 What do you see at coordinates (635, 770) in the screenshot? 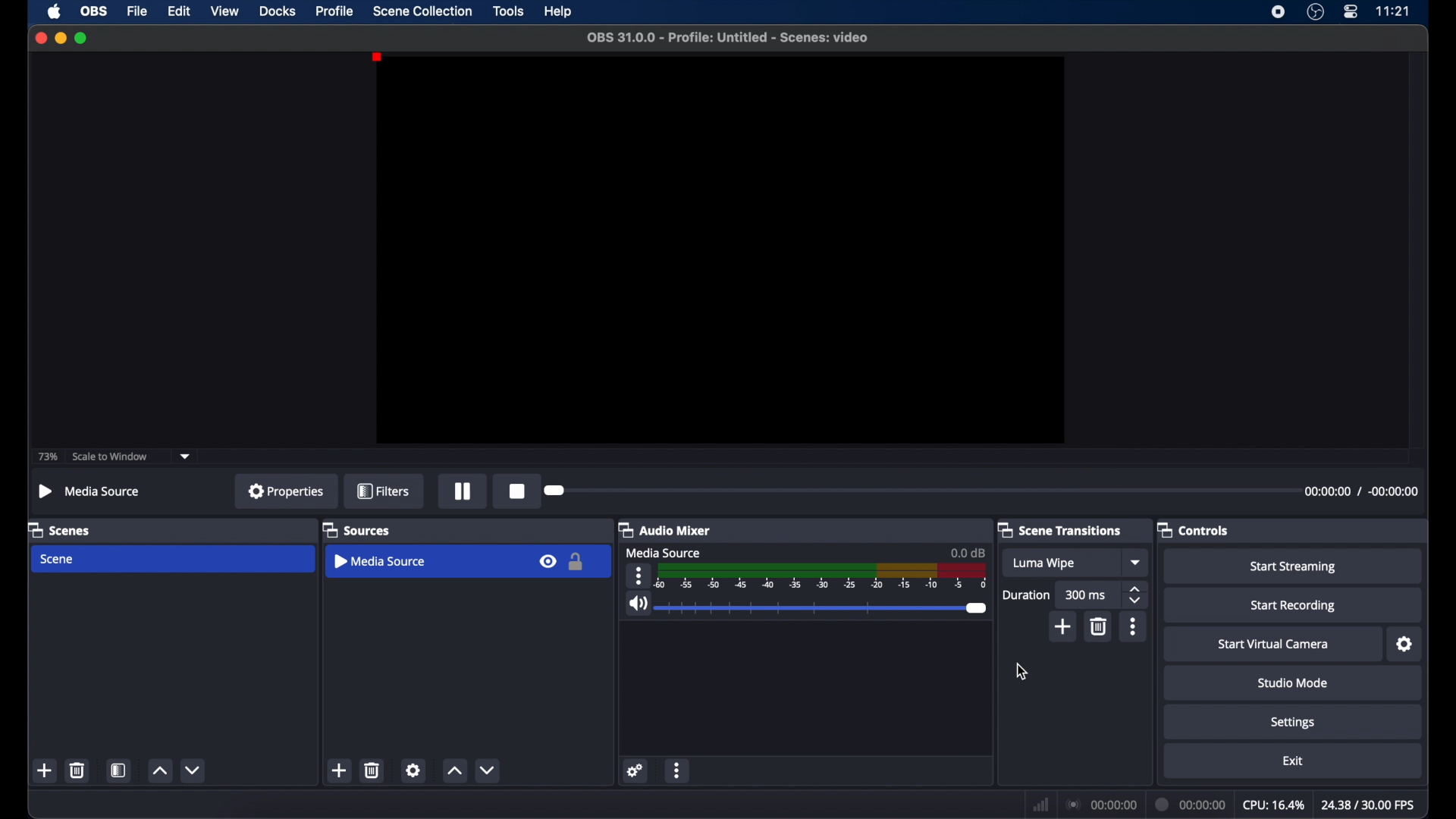
I see `settings` at bounding box center [635, 770].